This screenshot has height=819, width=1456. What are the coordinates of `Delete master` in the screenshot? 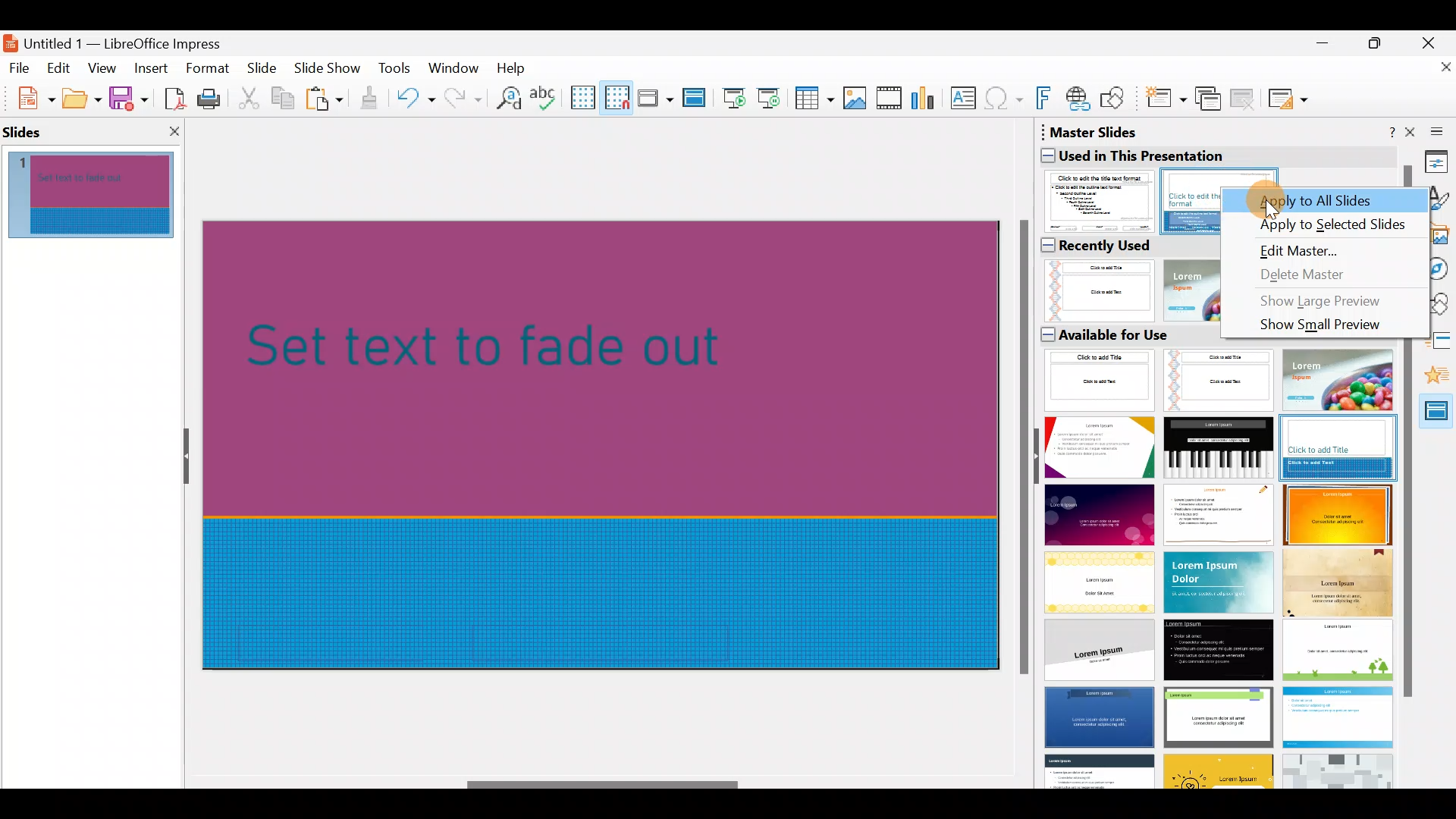 It's located at (1314, 274).